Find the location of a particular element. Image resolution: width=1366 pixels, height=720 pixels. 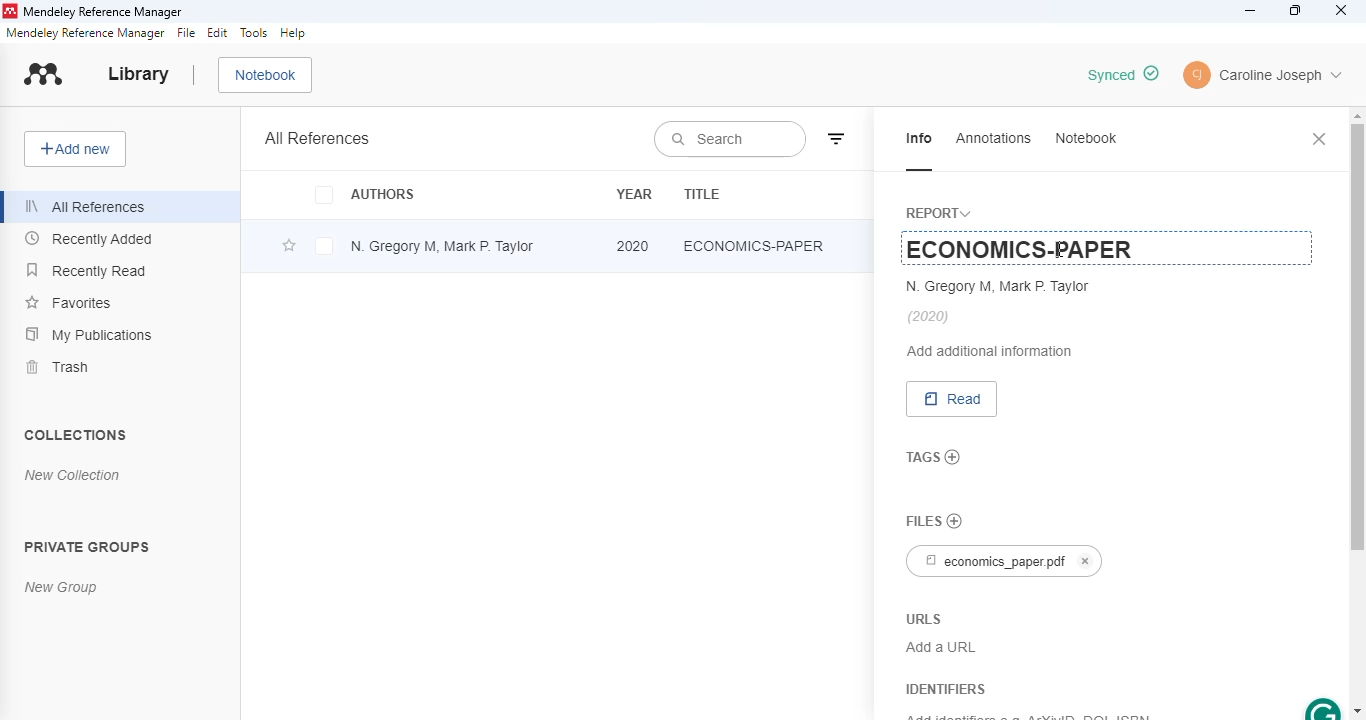

add additional information is located at coordinates (992, 351).